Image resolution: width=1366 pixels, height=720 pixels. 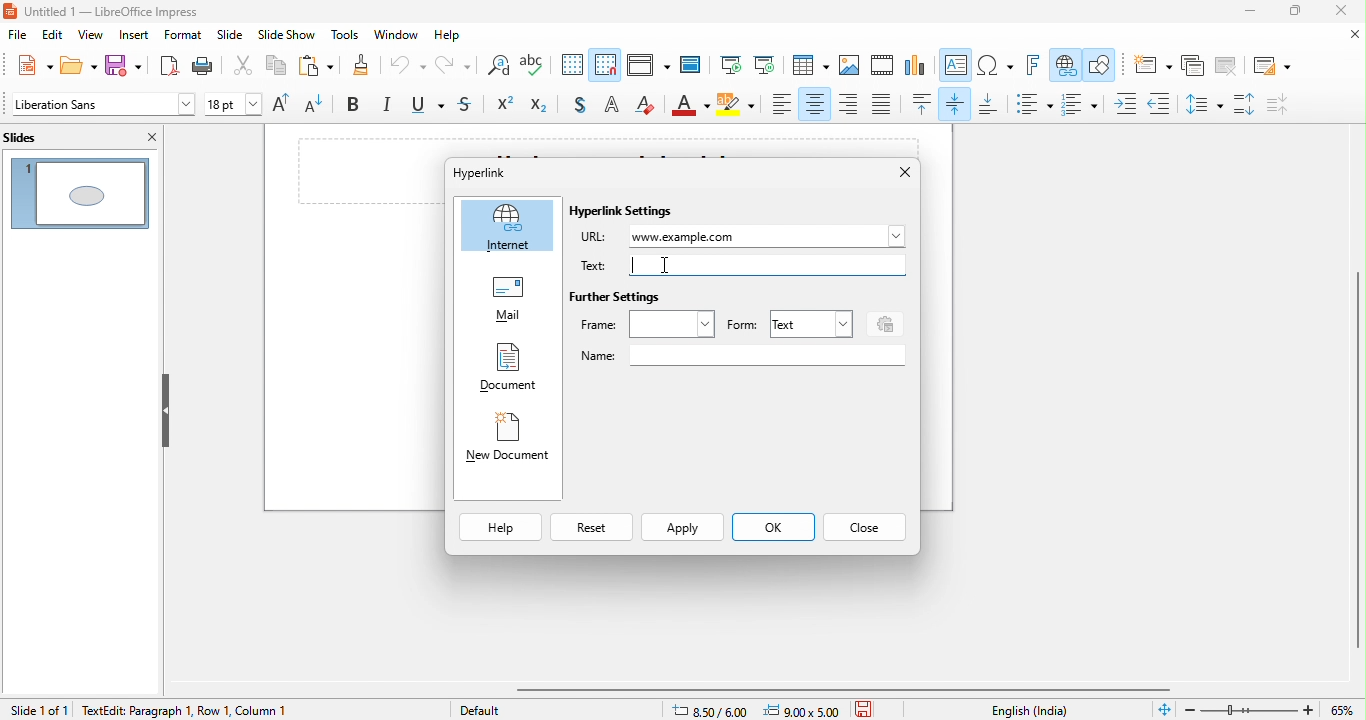 I want to click on subscript, so click(x=543, y=106).